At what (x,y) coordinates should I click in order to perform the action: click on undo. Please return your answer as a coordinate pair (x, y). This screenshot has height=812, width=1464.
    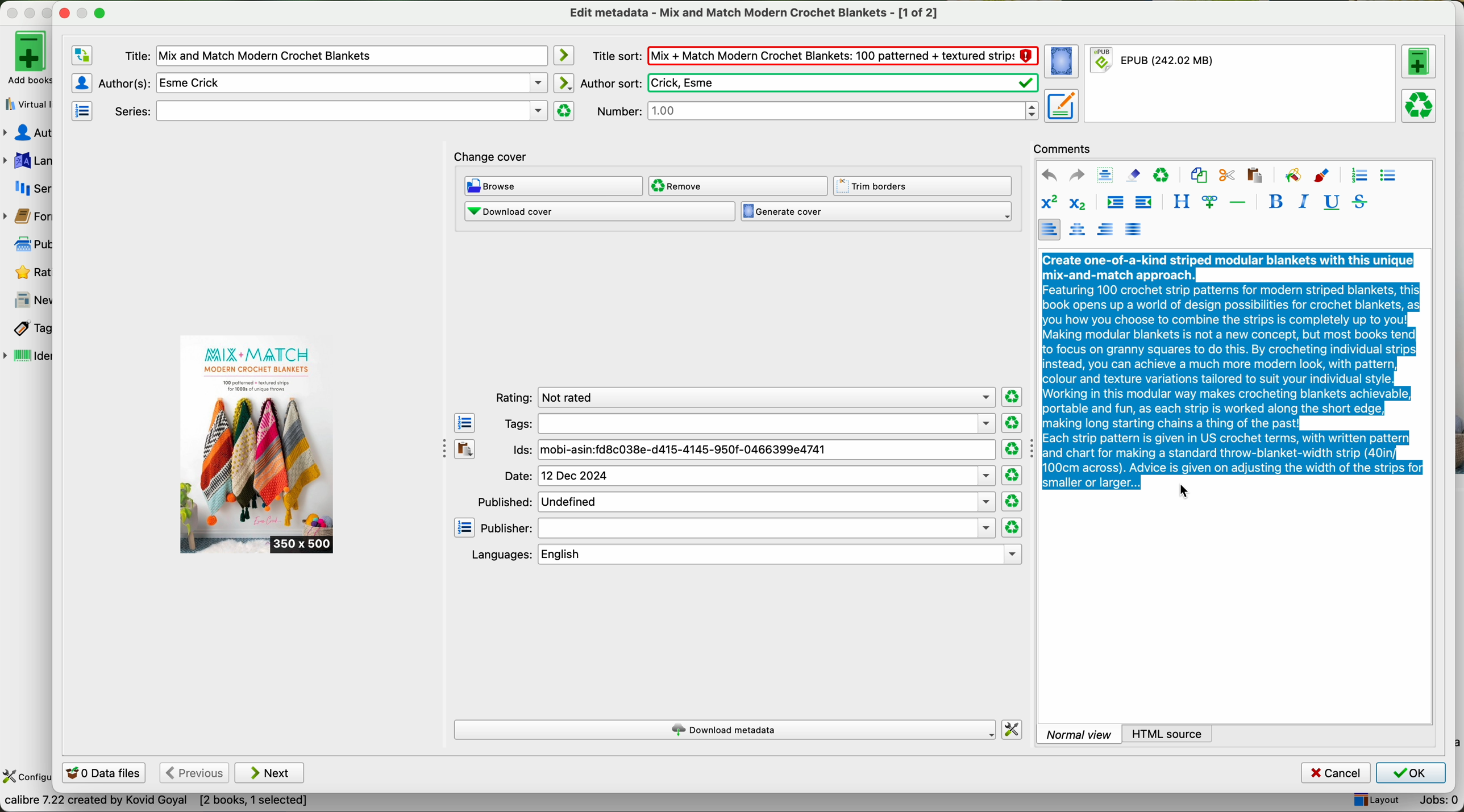
    Looking at the image, I should click on (1049, 176).